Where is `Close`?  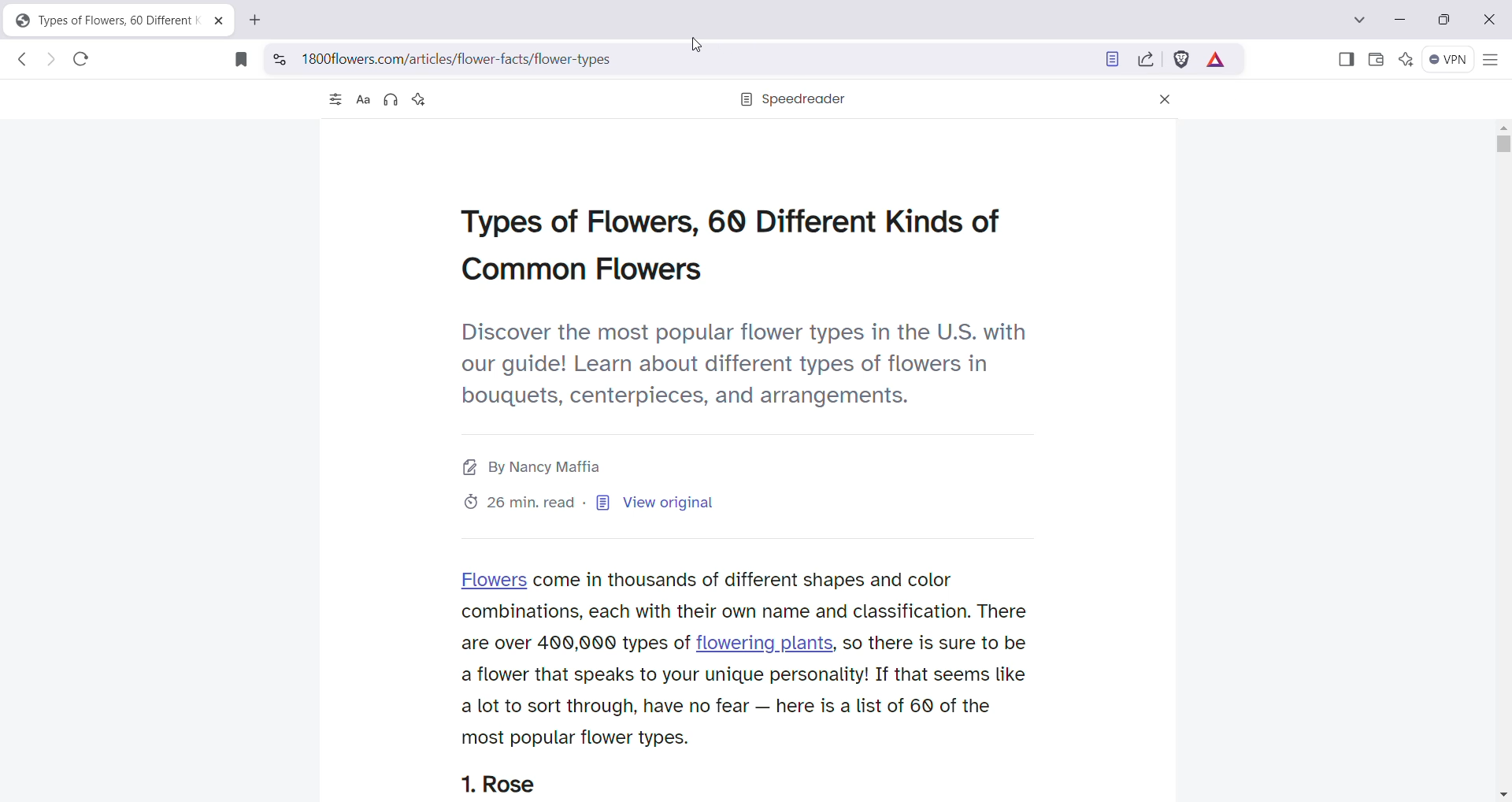 Close is located at coordinates (1486, 20).